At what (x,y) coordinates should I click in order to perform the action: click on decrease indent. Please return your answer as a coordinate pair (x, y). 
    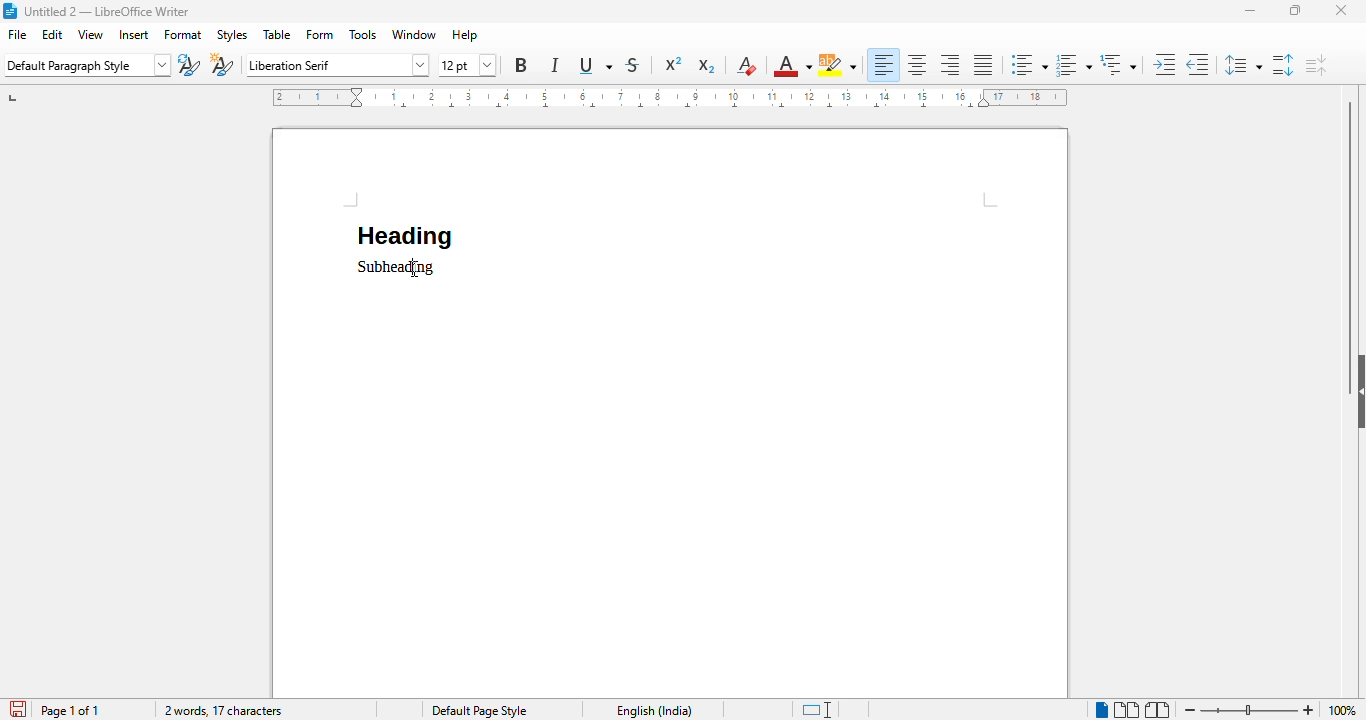
    Looking at the image, I should click on (1198, 63).